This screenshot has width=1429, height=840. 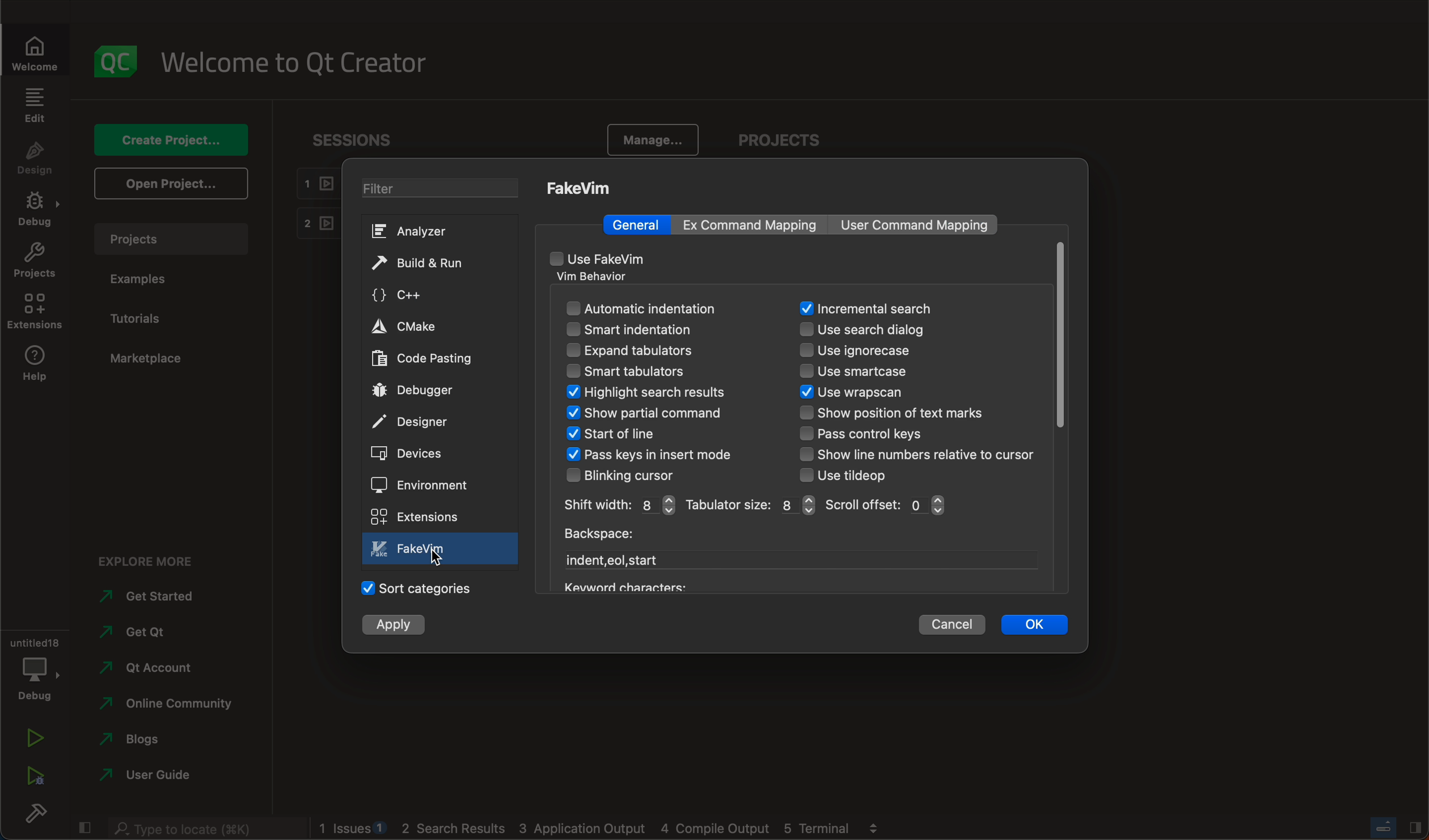 I want to click on scroll, so click(x=887, y=505).